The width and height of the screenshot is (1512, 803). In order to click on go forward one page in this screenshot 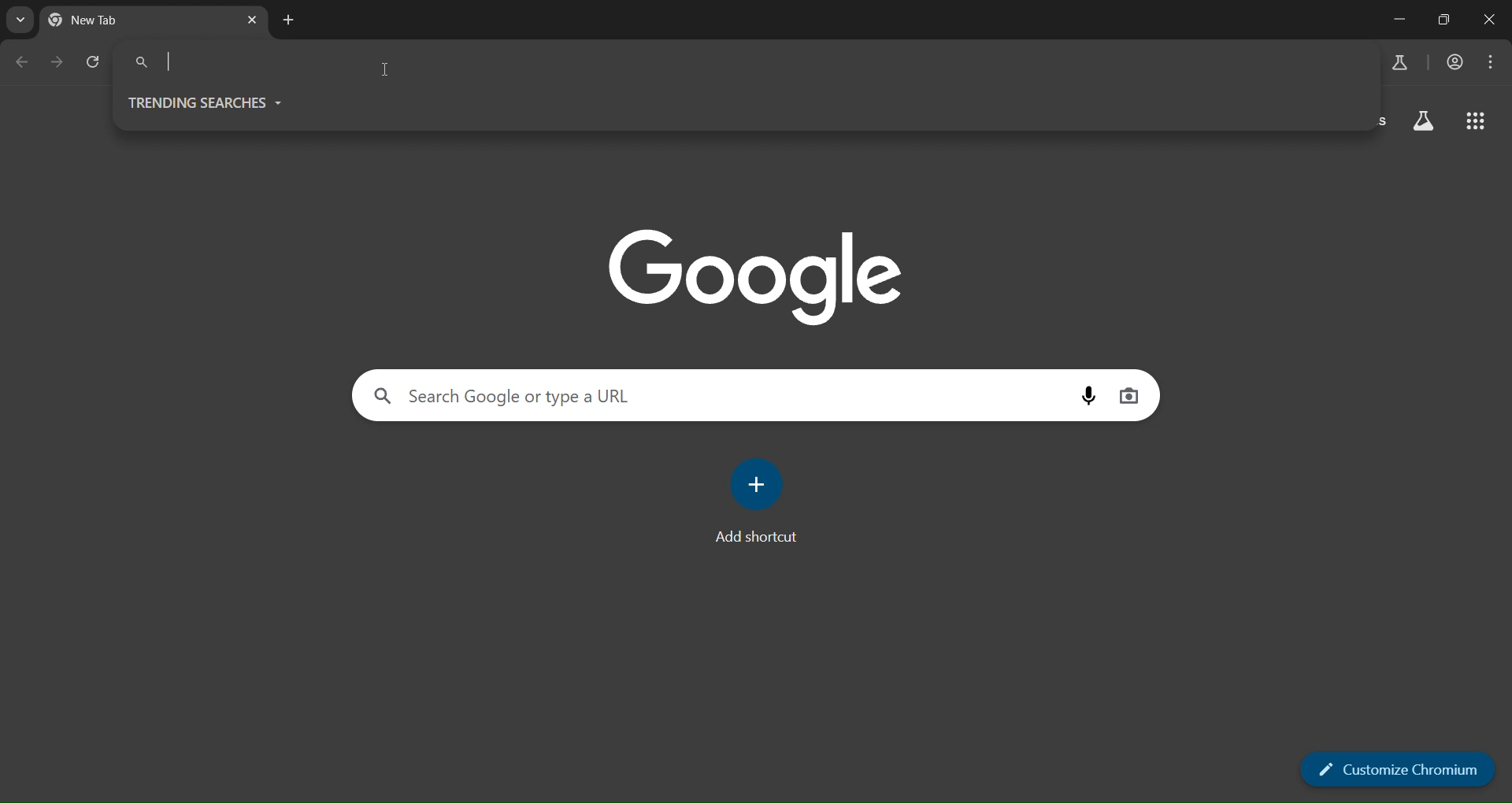, I will do `click(54, 61)`.